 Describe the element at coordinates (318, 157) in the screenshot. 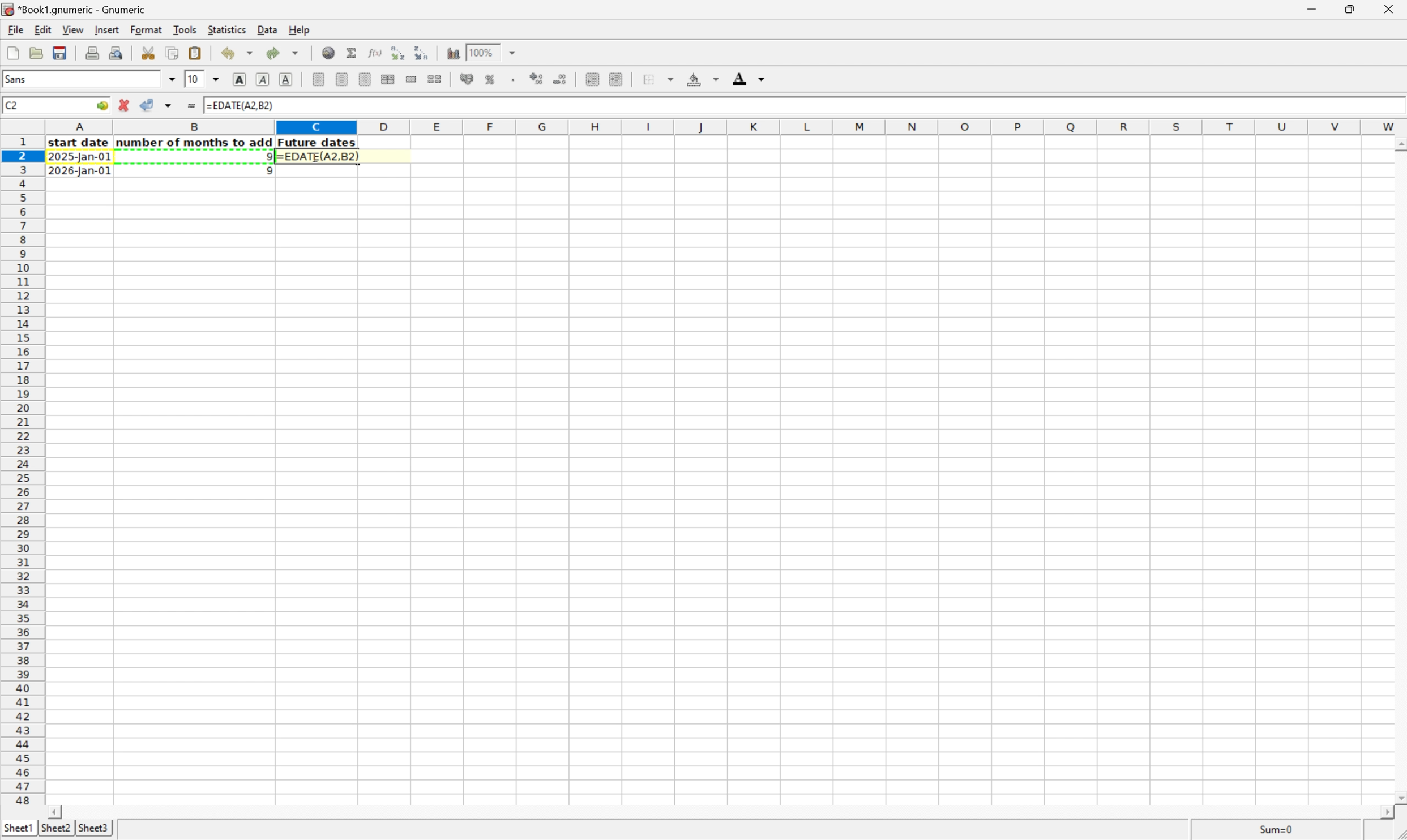

I see `=EDATE(A2, B2)` at that location.